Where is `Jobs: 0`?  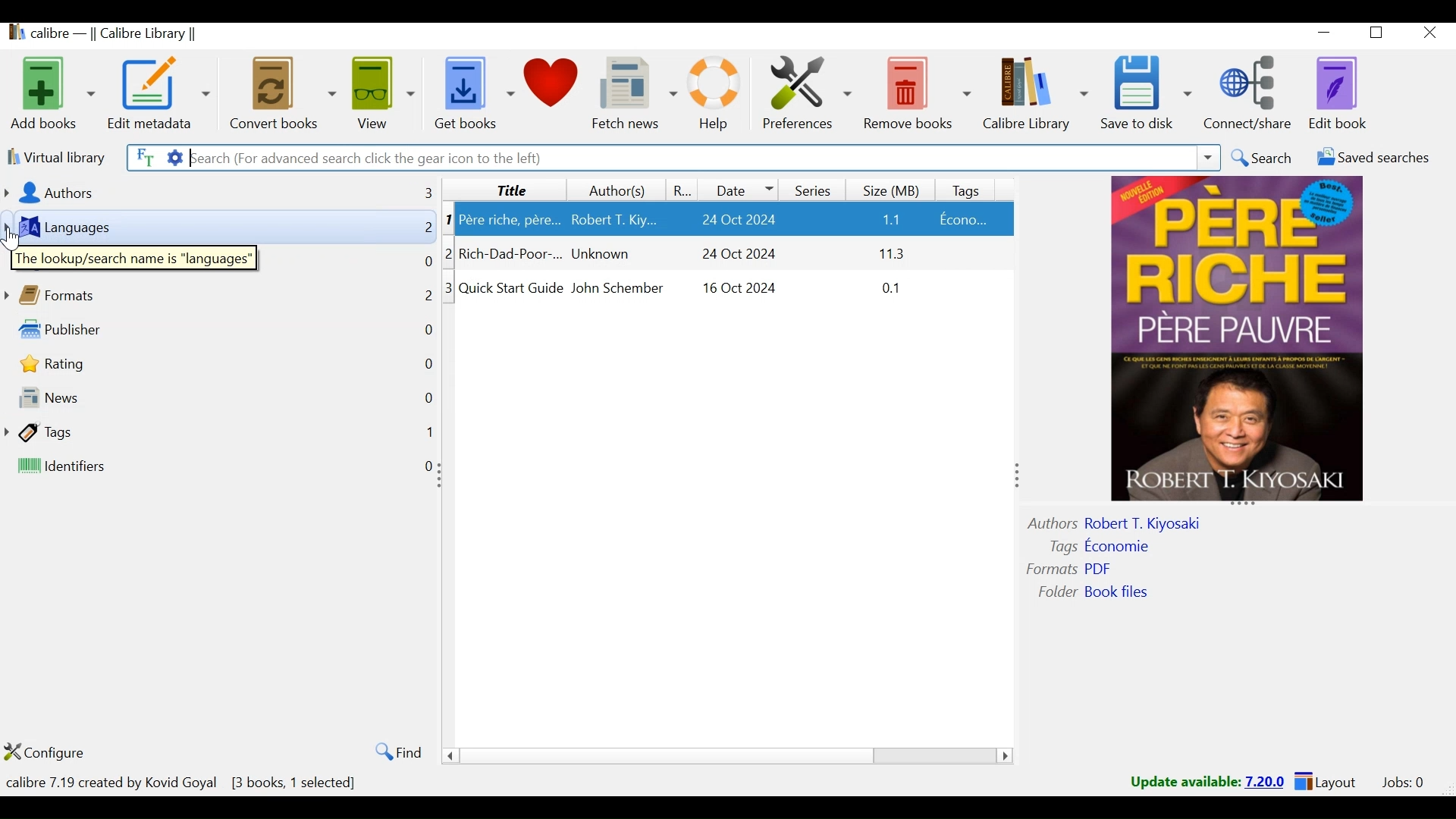
Jobs: 0 is located at coordinates (1400, 783).